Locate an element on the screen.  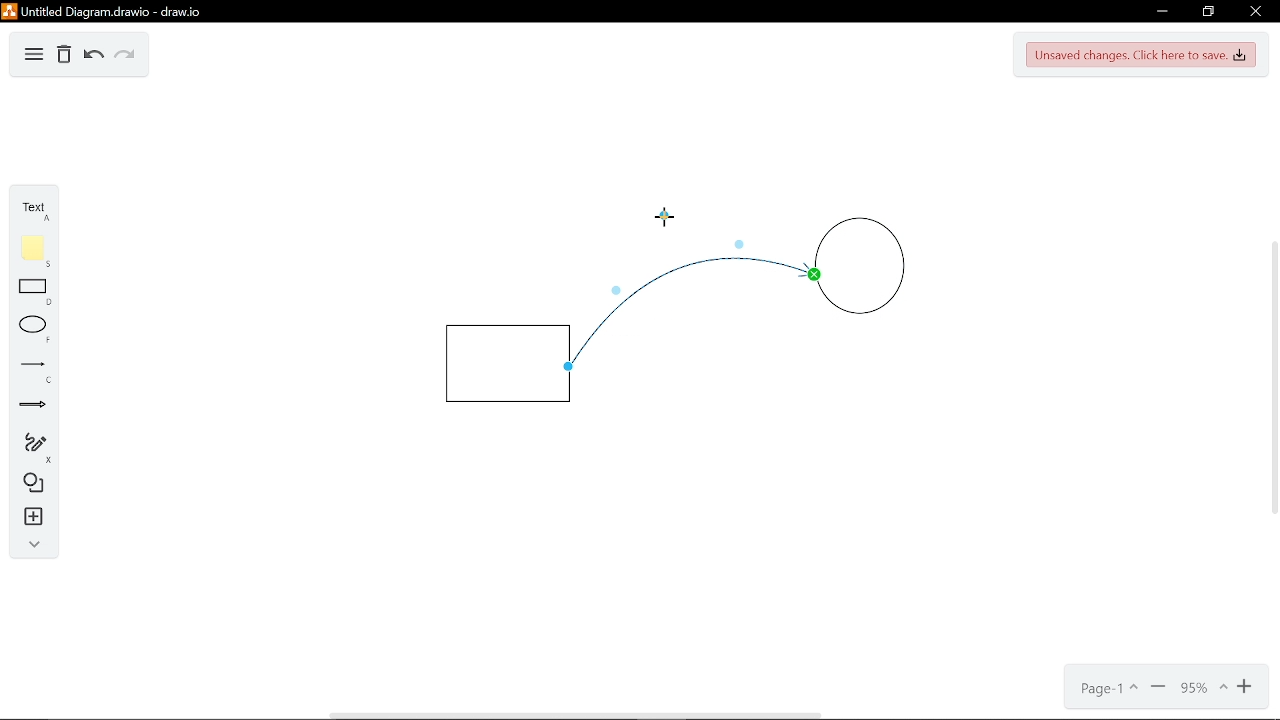
Close is located at coordinates (1254, 12).